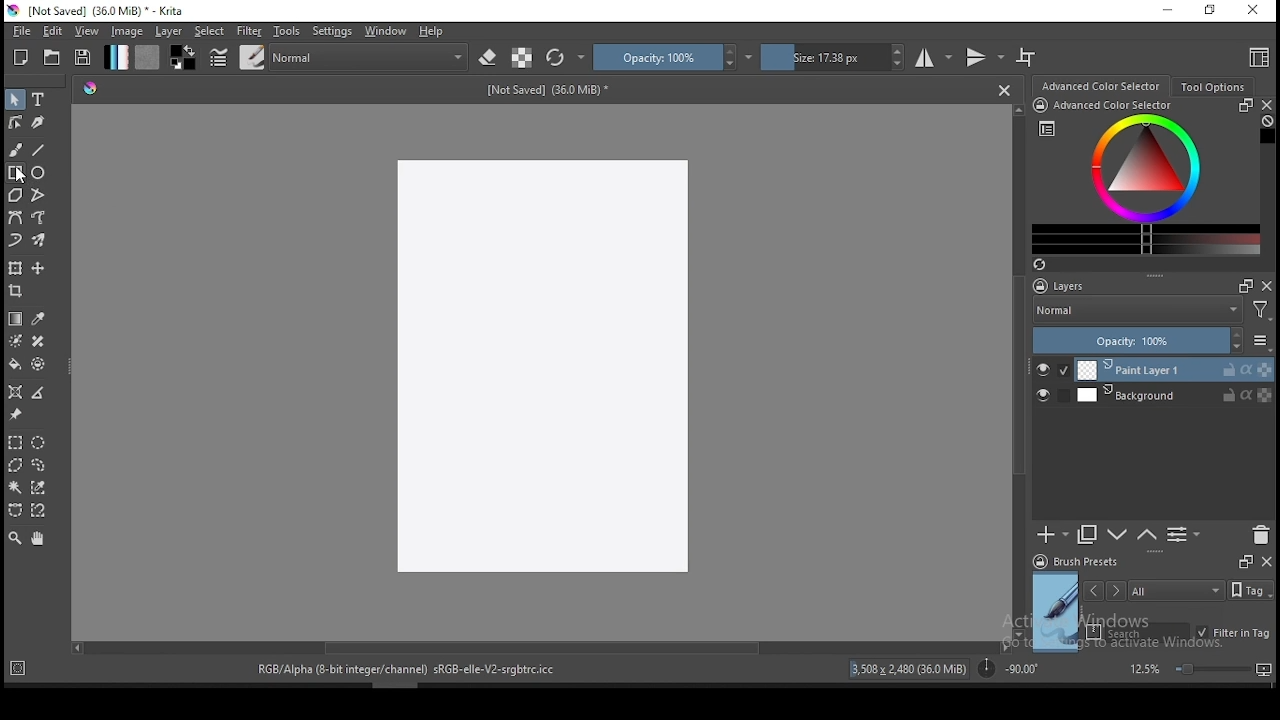  Describe the element at coordinates (1150, 342) in the screenshot. I see `opacity` at that location.